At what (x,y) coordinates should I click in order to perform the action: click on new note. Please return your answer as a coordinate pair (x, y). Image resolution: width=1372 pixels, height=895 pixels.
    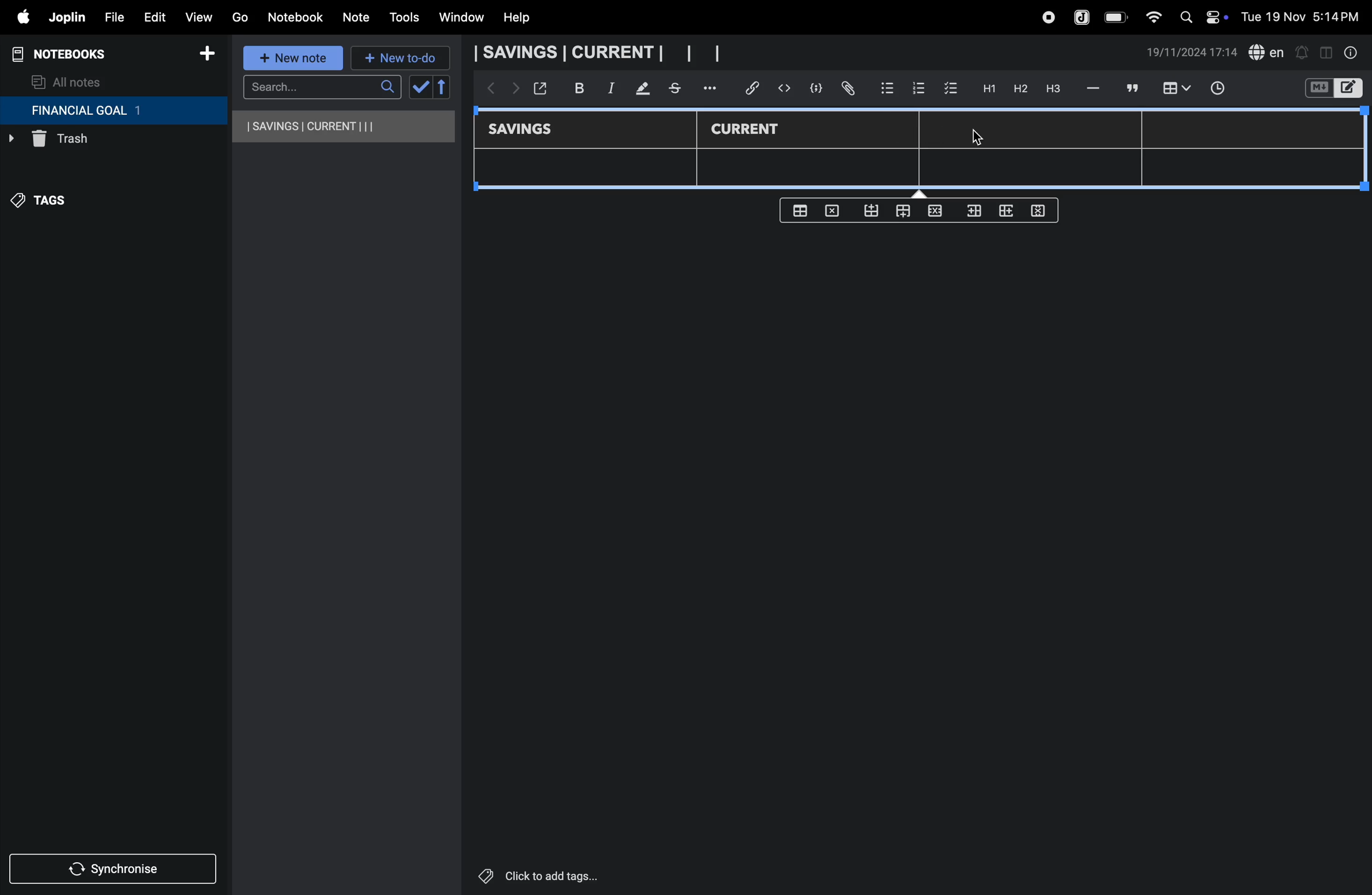
    Looking at the image, I should click on (295, 59).